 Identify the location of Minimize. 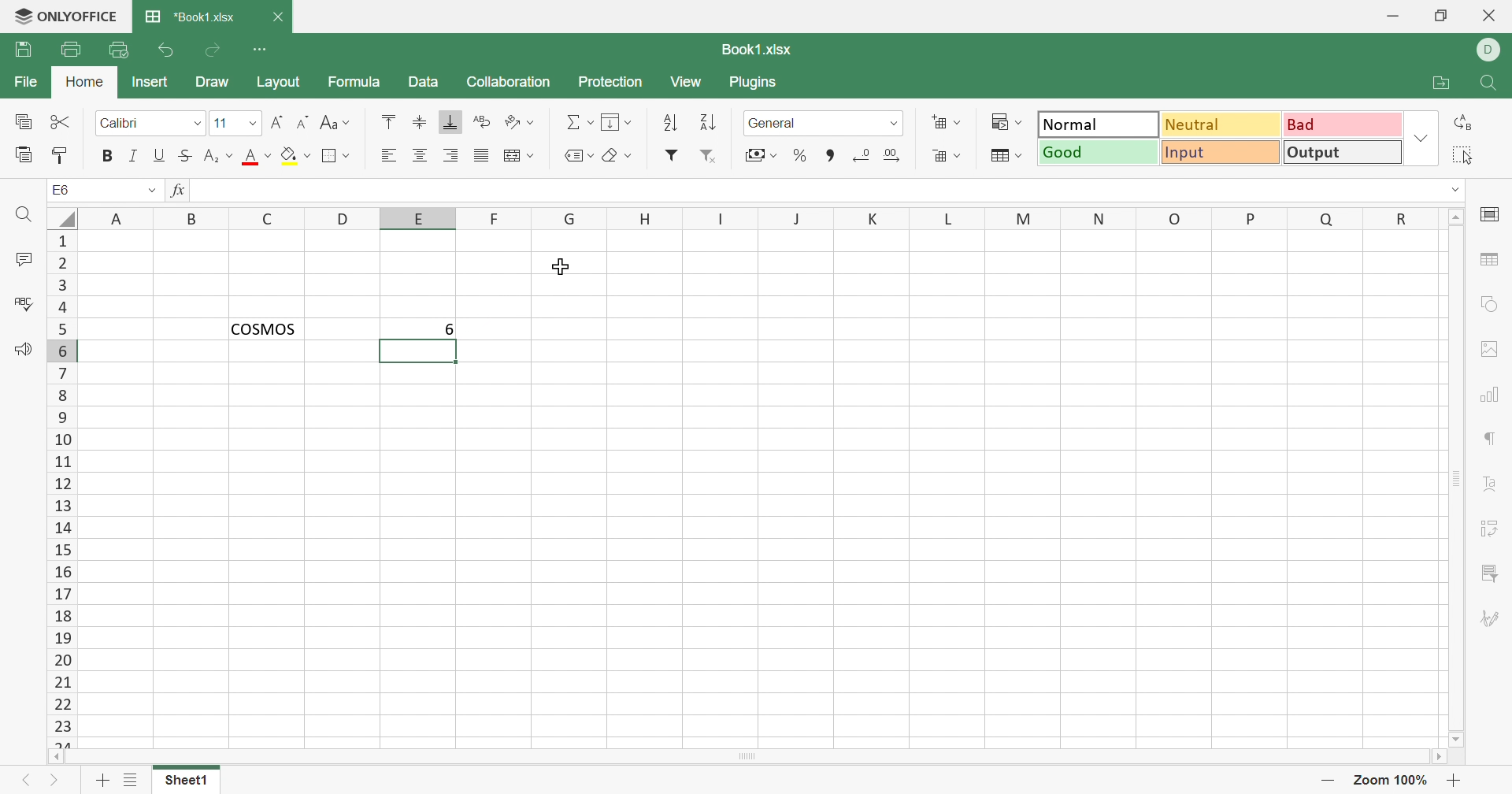
(1392, 17).